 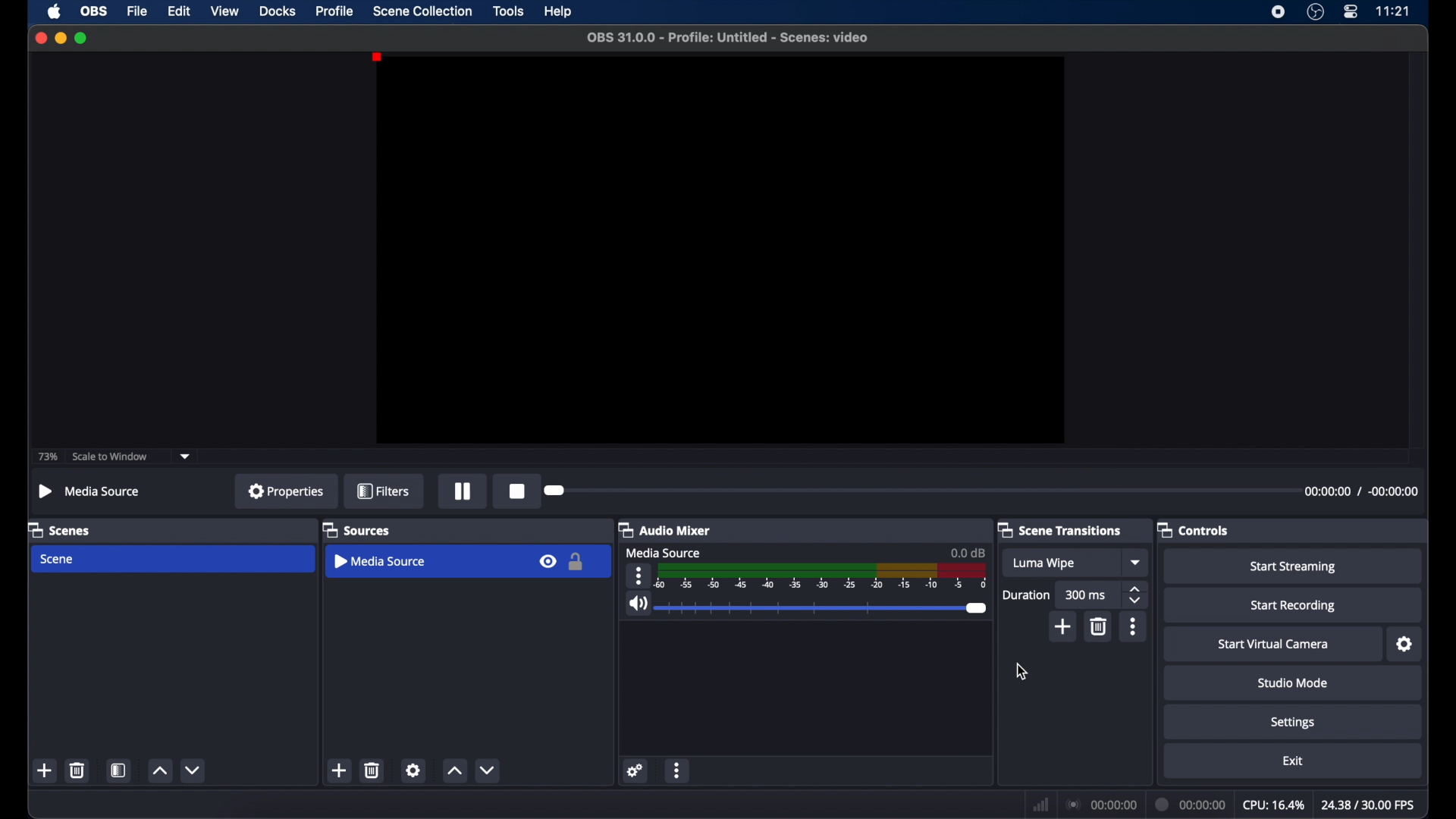 I want to click on duration, so click(x=1028, y=595).